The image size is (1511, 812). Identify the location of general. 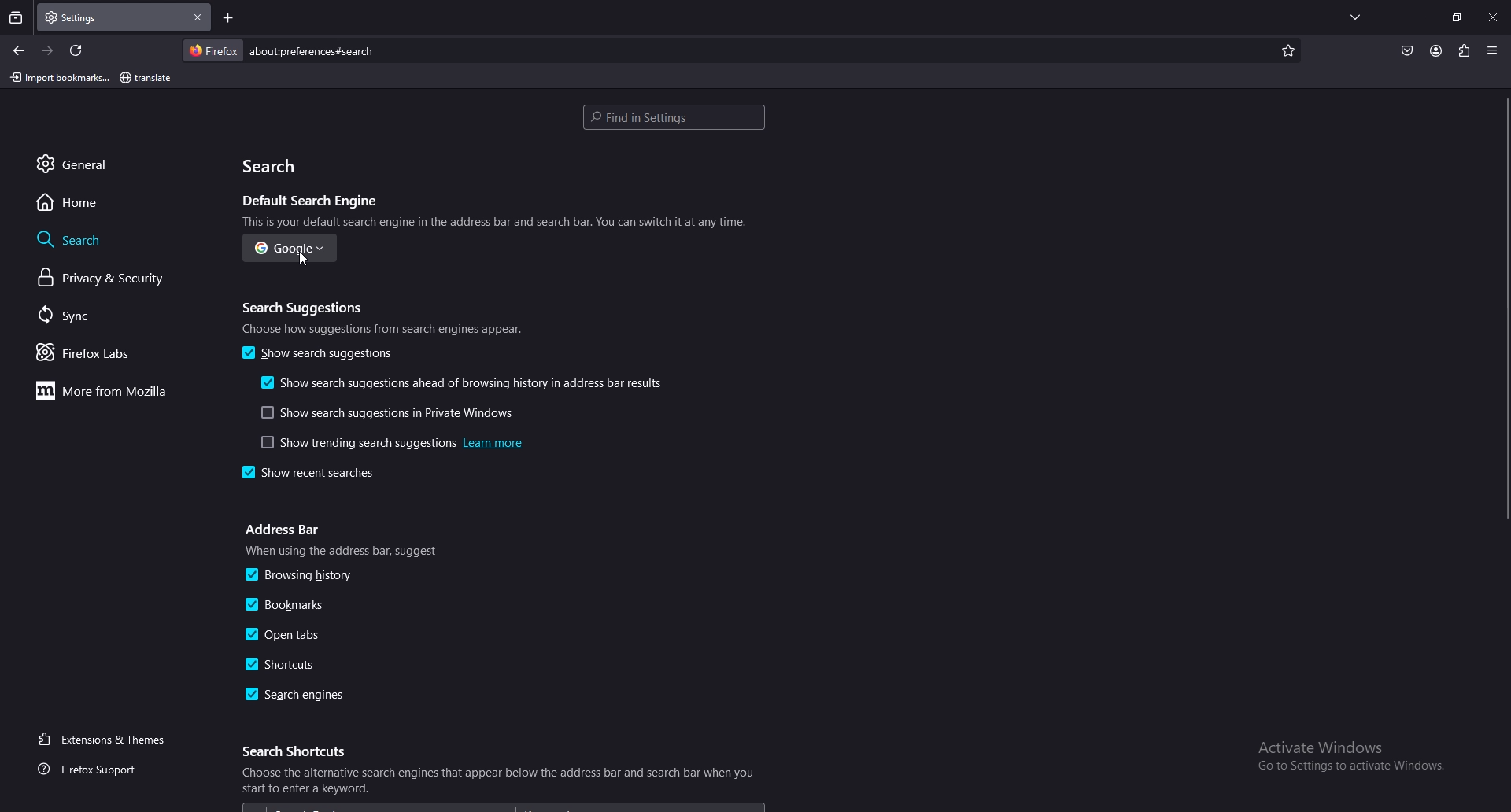
(125, 164).